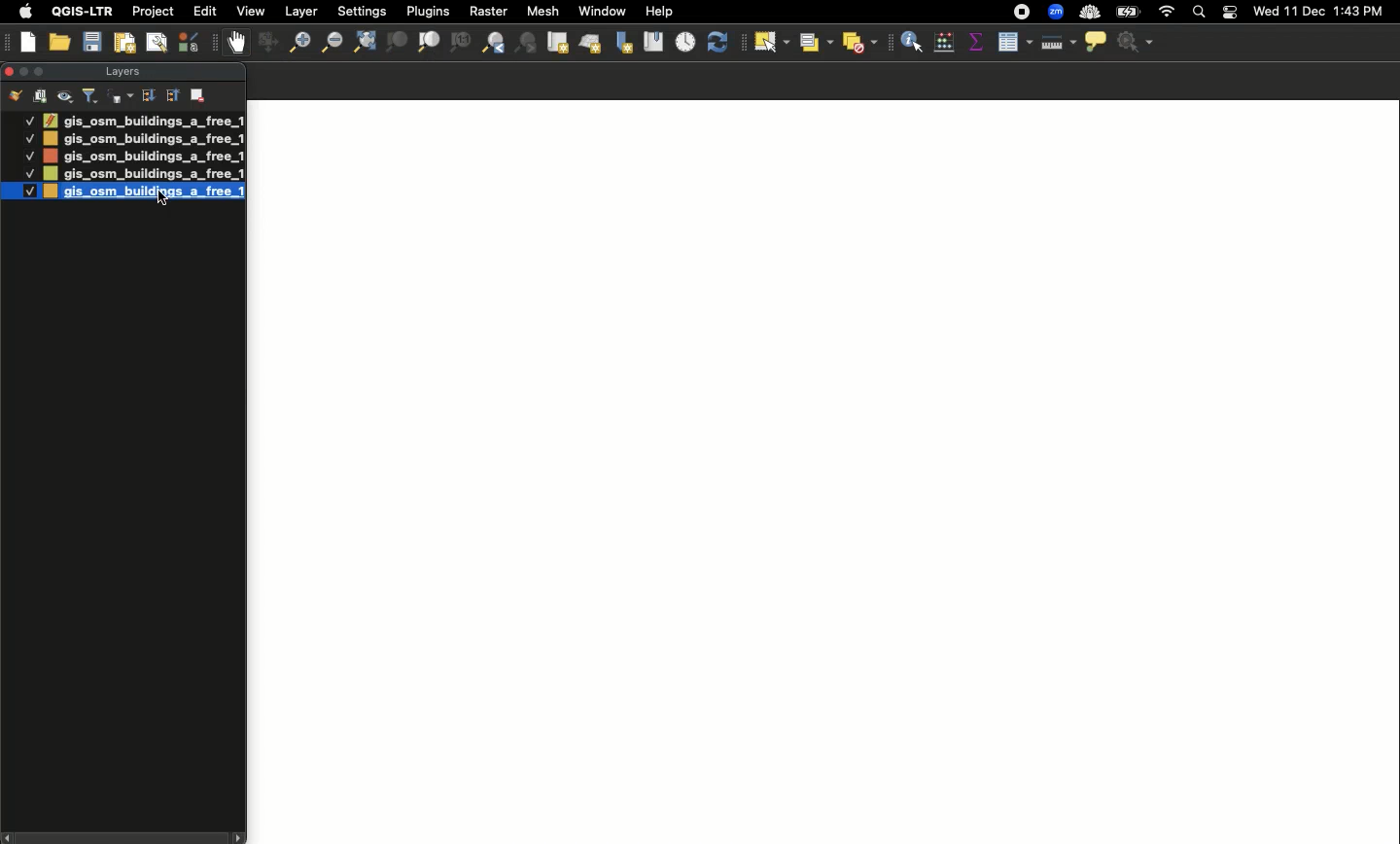 The width and height of the screenshot is (1400, 844). What do you see at coordinates (22, 70) in the screenshot?
I see `Minimize` at bounding box center [22, 70].